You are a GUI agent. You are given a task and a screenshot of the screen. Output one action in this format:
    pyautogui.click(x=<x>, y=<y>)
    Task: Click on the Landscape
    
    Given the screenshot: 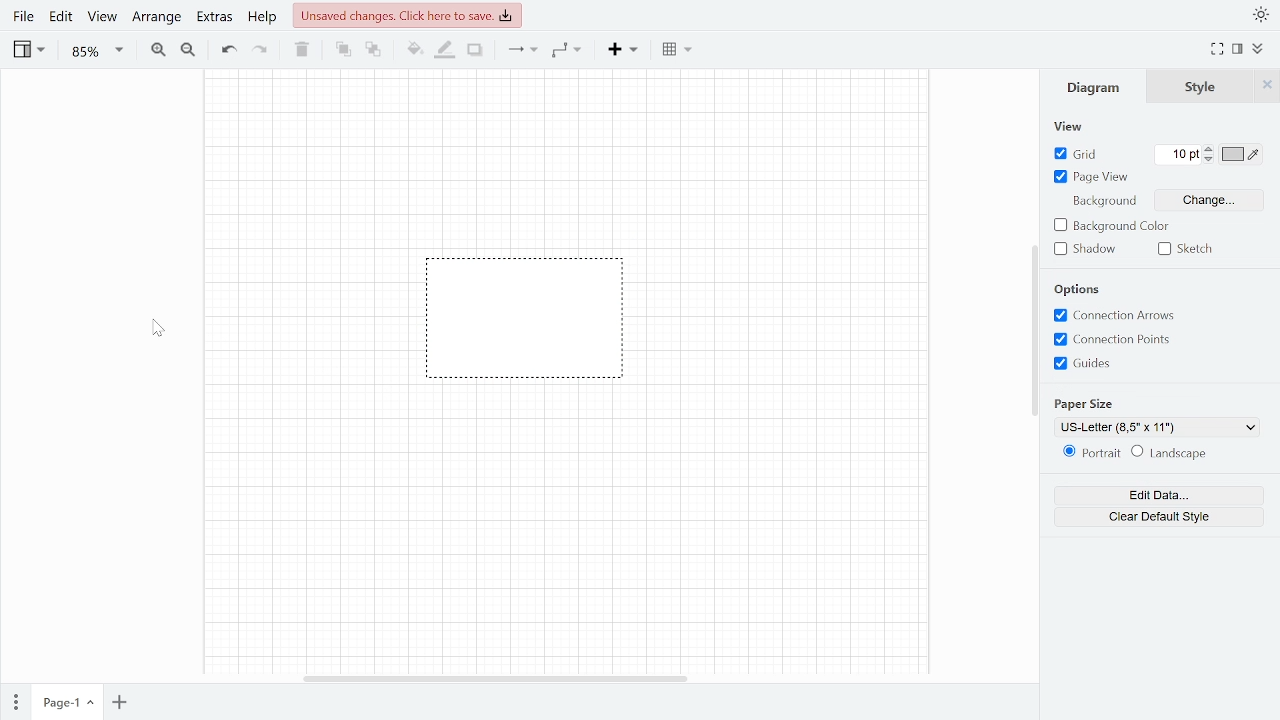 What is the action you would take?
    pyautogui.click(x=1192, y=455)
    